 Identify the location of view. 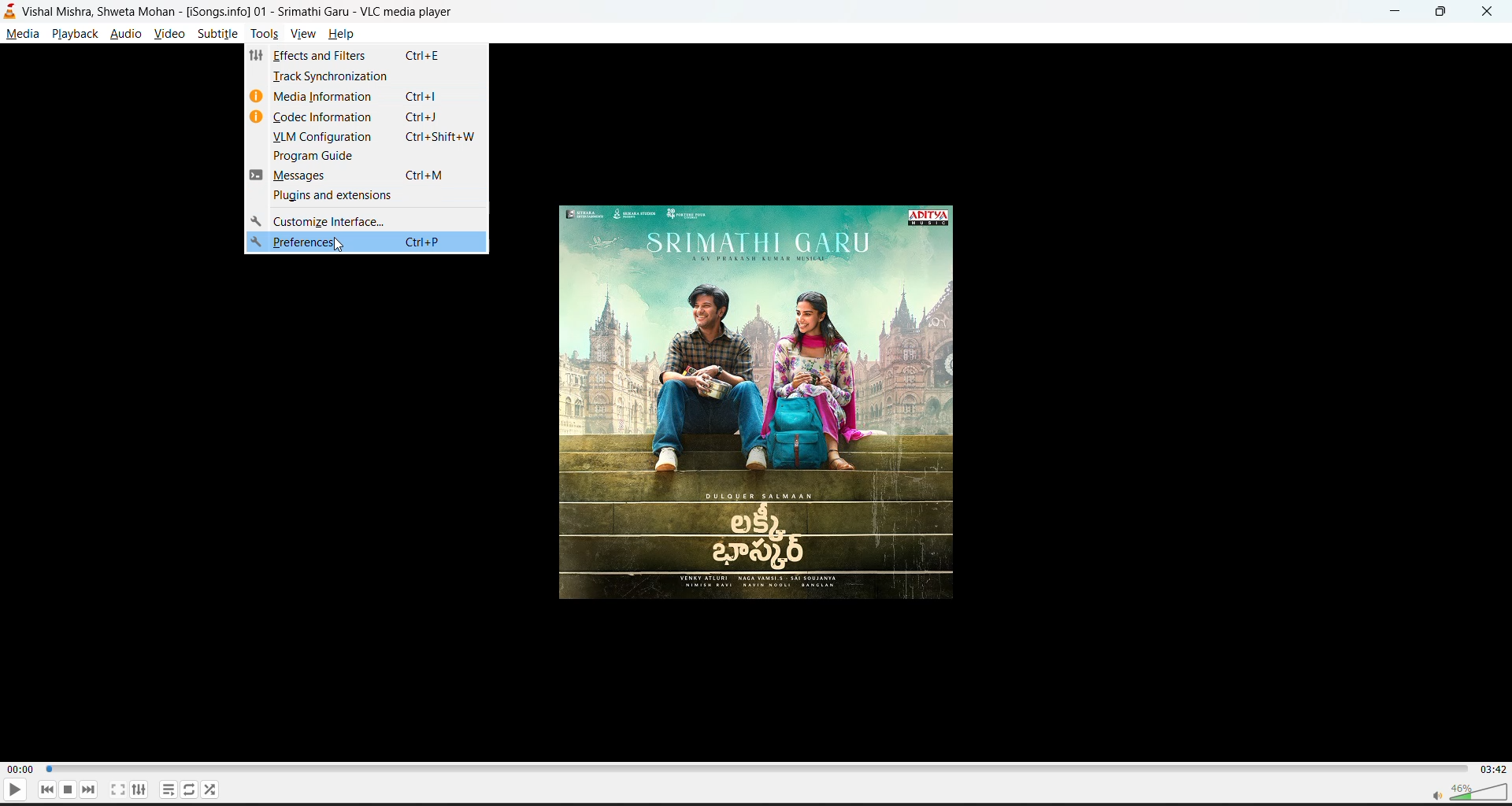
(306, 37).